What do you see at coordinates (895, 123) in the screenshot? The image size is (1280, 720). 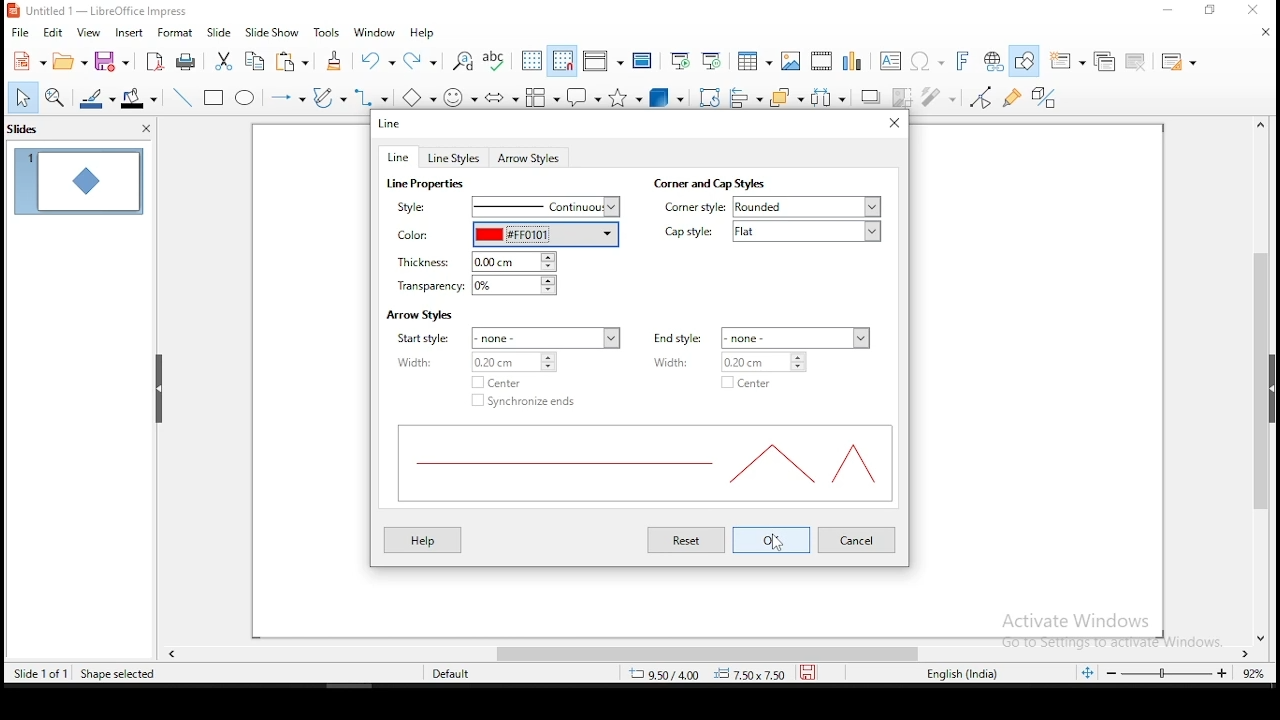 I see `close window` at bounding box center [895, 123].